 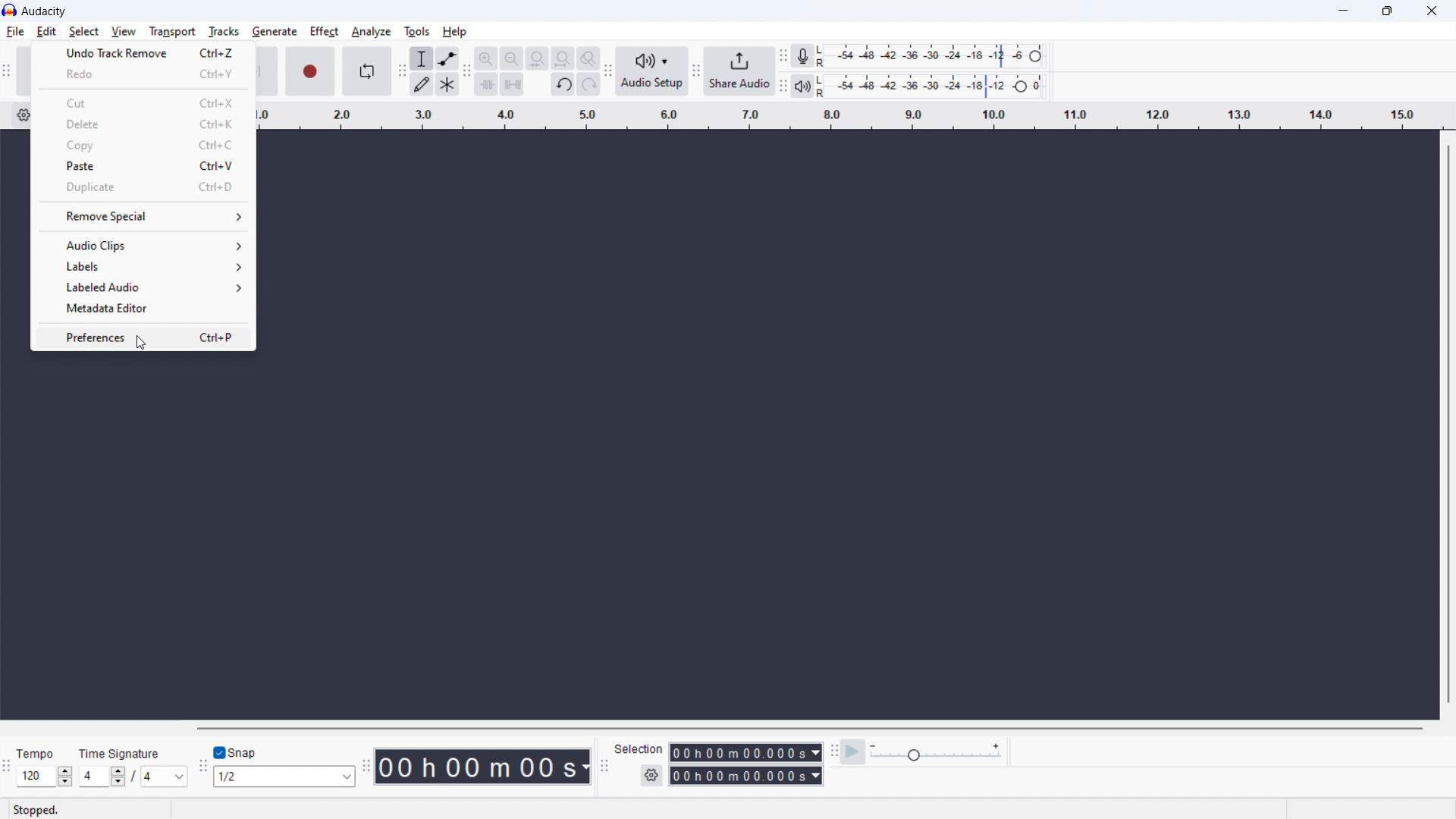 What do you see at coordinates (563, 58) in the screenshot?
I see `fit project to width` at bounding box center [563, 58].